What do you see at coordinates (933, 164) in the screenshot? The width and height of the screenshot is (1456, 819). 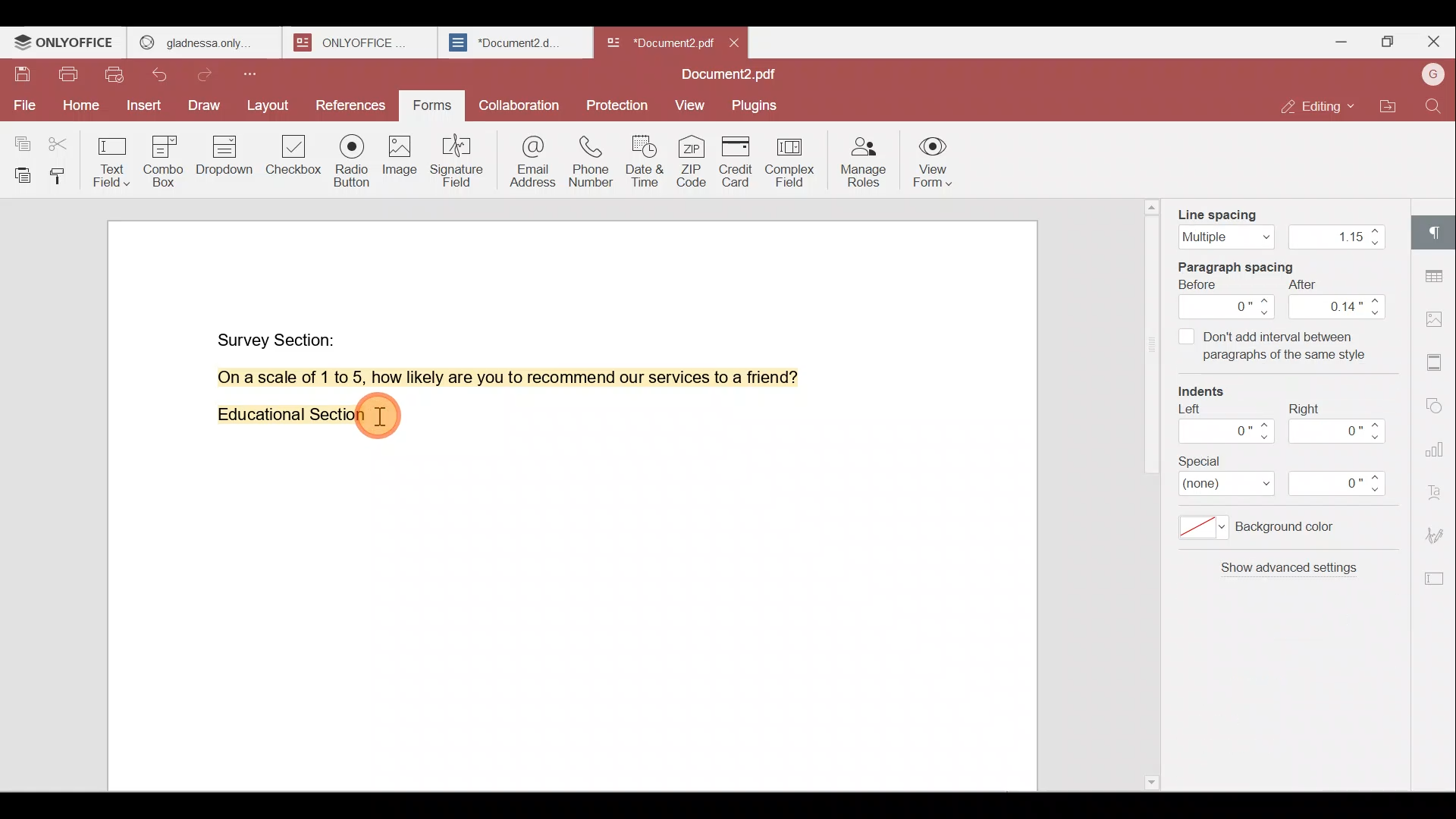 I see `View form` at bounding box center [933, 164].